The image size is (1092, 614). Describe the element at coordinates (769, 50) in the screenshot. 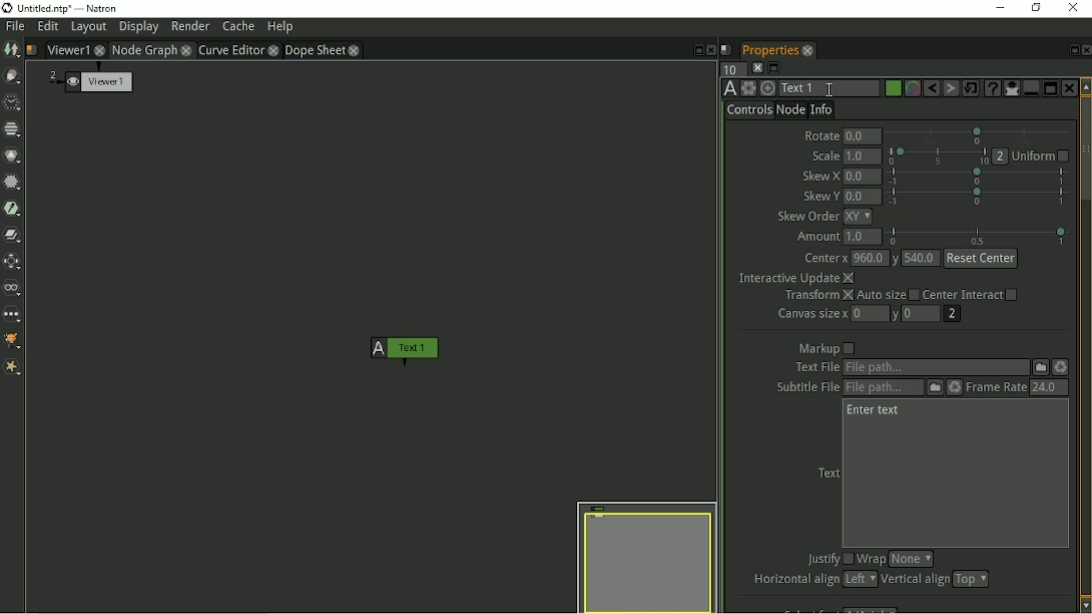

I see `Properties` at that location.